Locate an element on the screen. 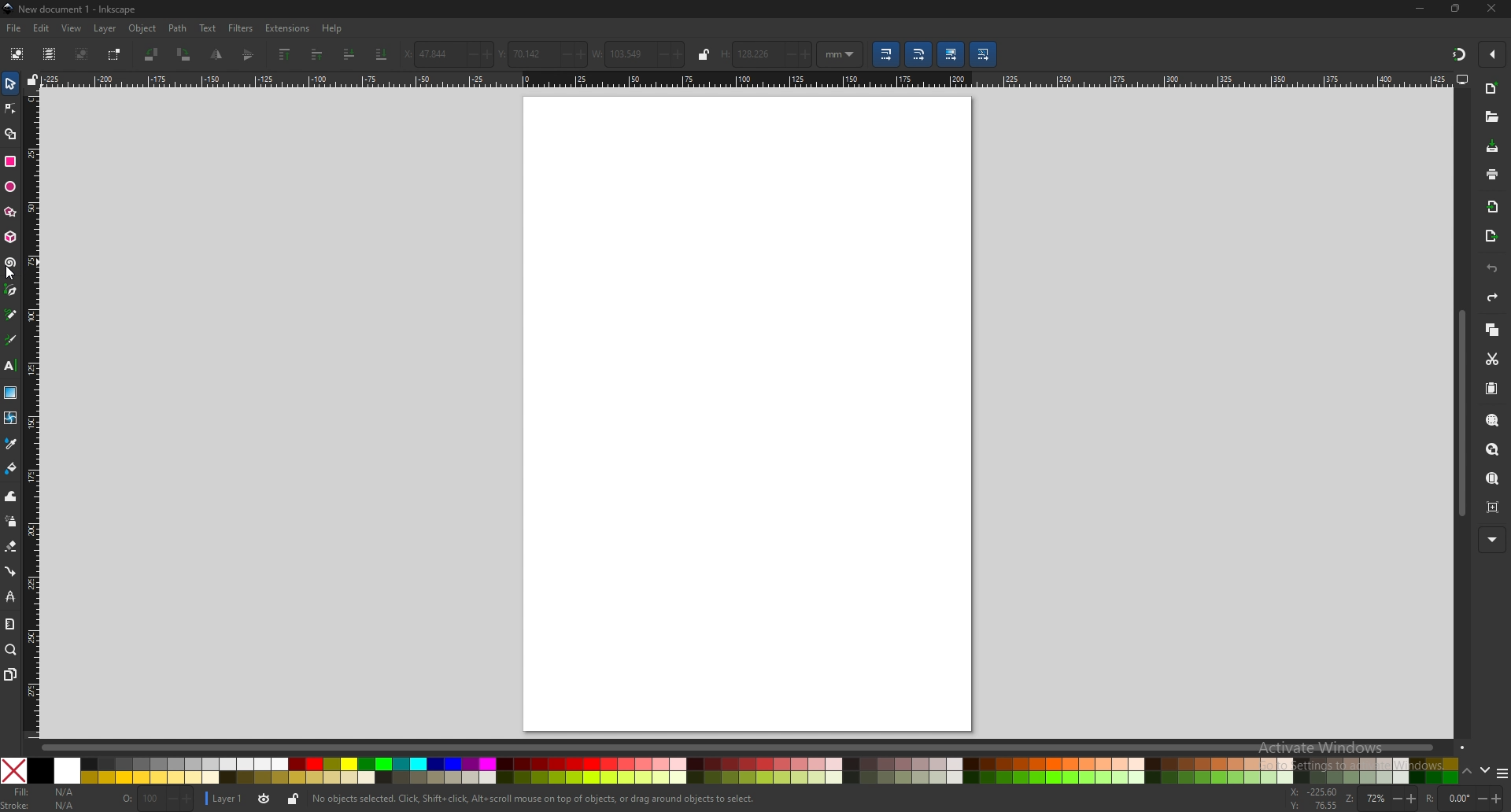 This screenshot has height=812, width=1511. lpe is located at coordinates (10, 598).